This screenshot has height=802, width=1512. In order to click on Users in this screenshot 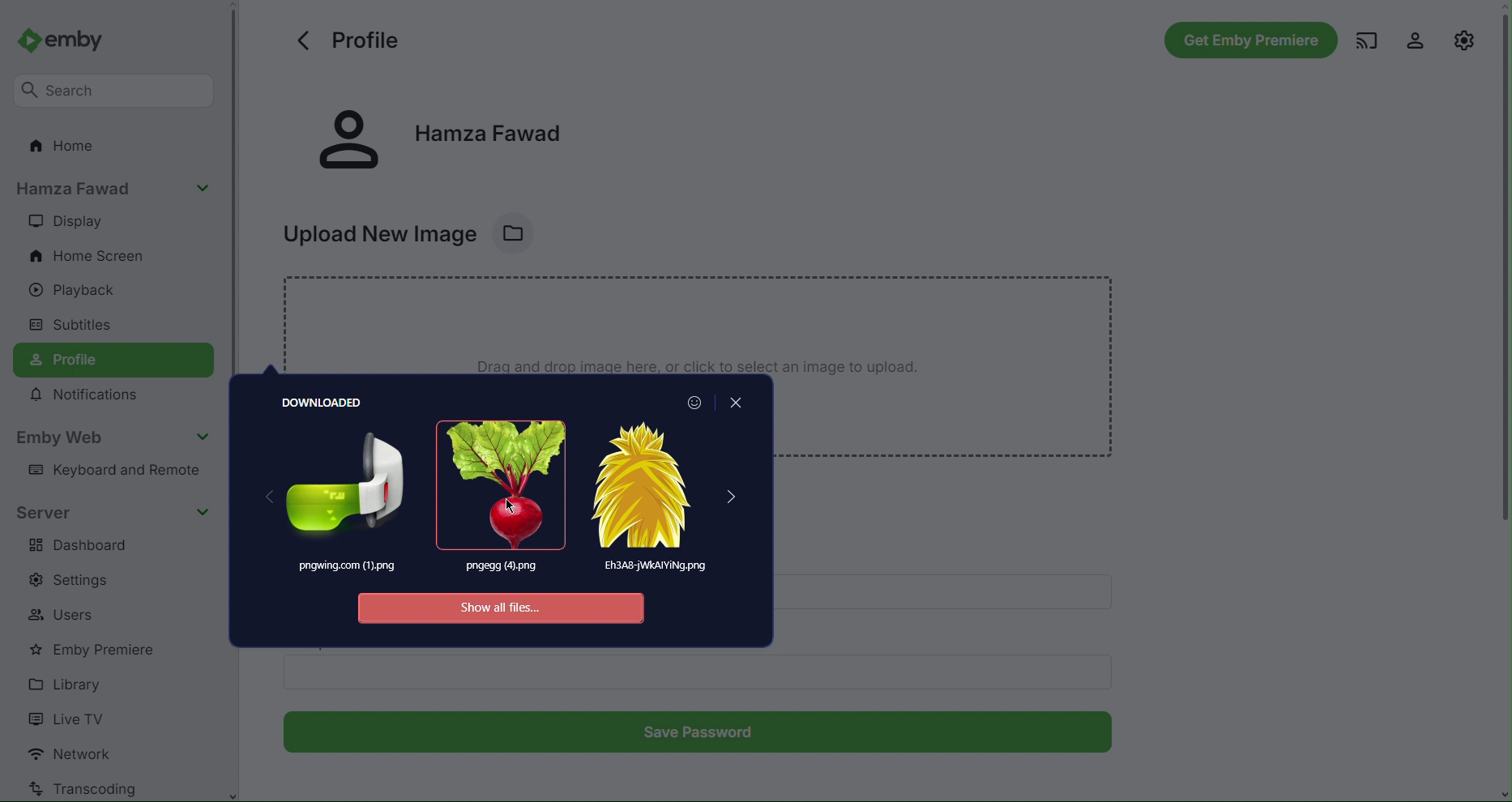, I will do `click(64, 615)`.